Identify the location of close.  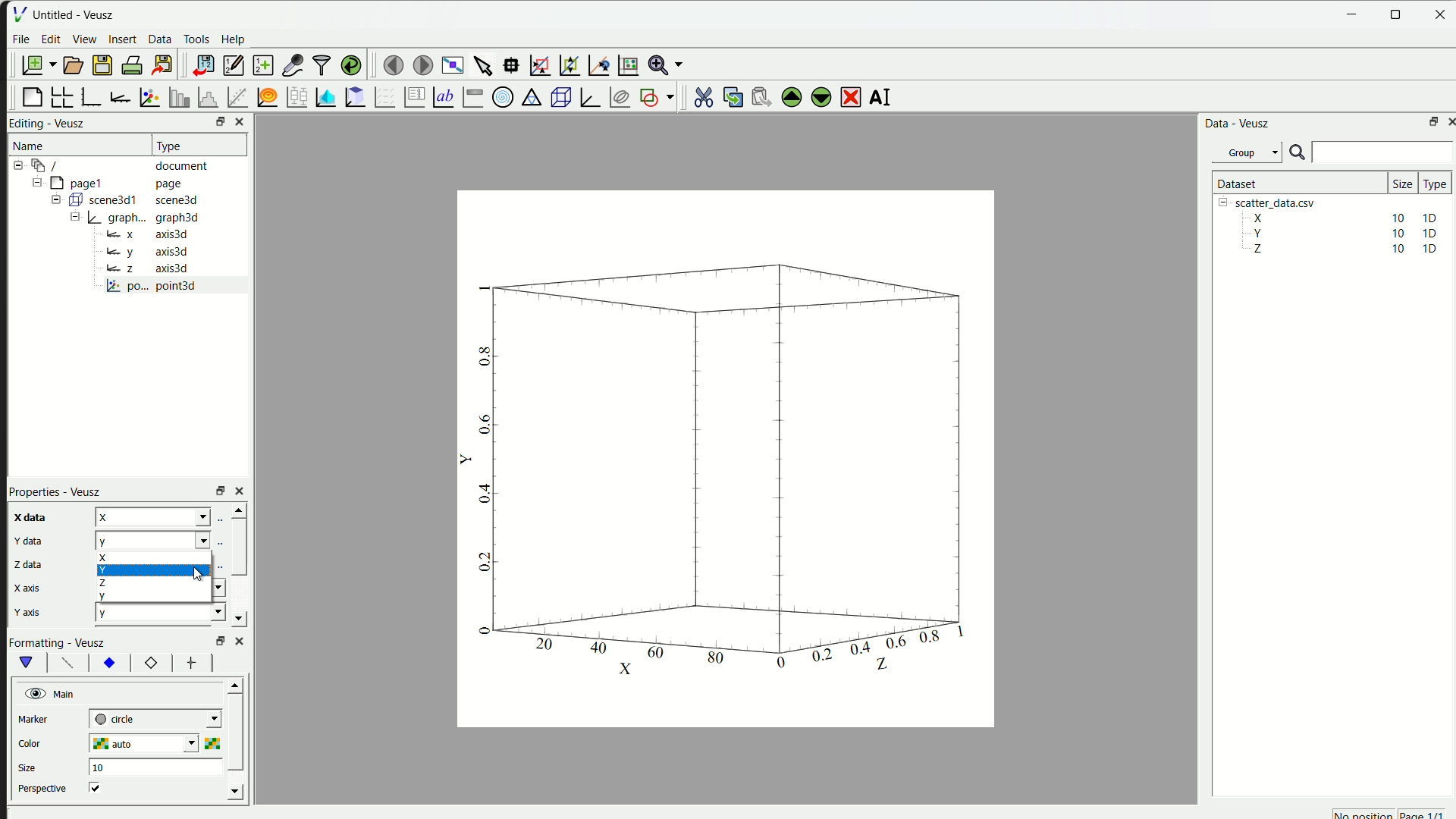
(1437, 14).